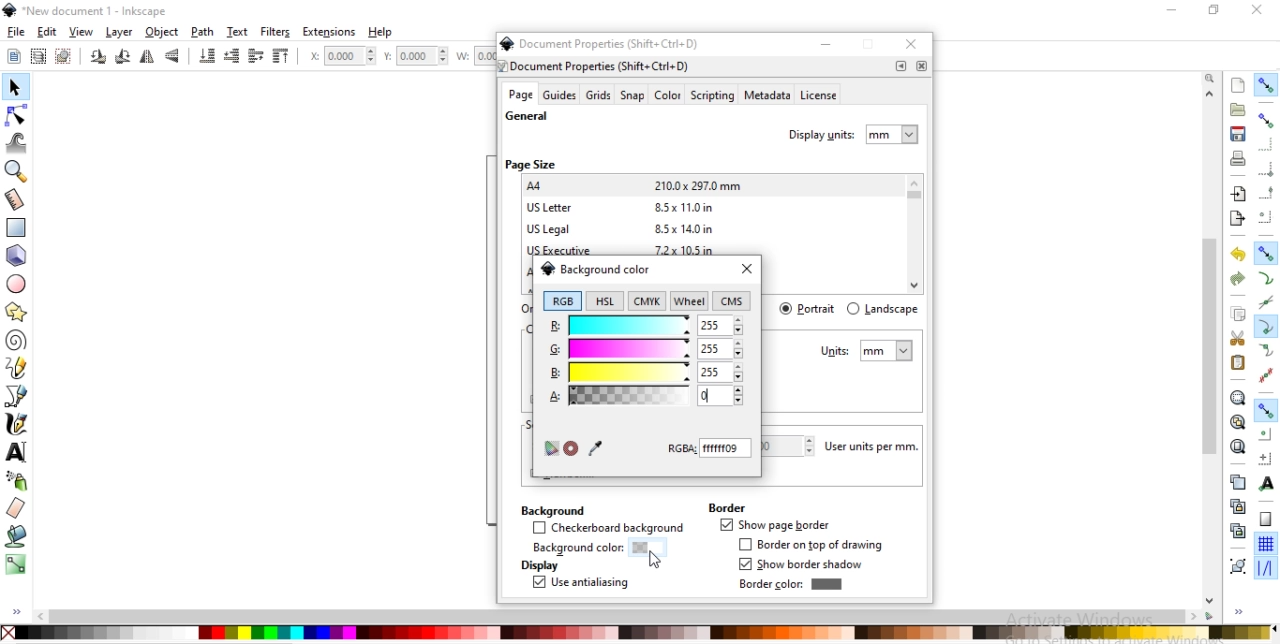  I want to click on redo, so click(1238, 279).